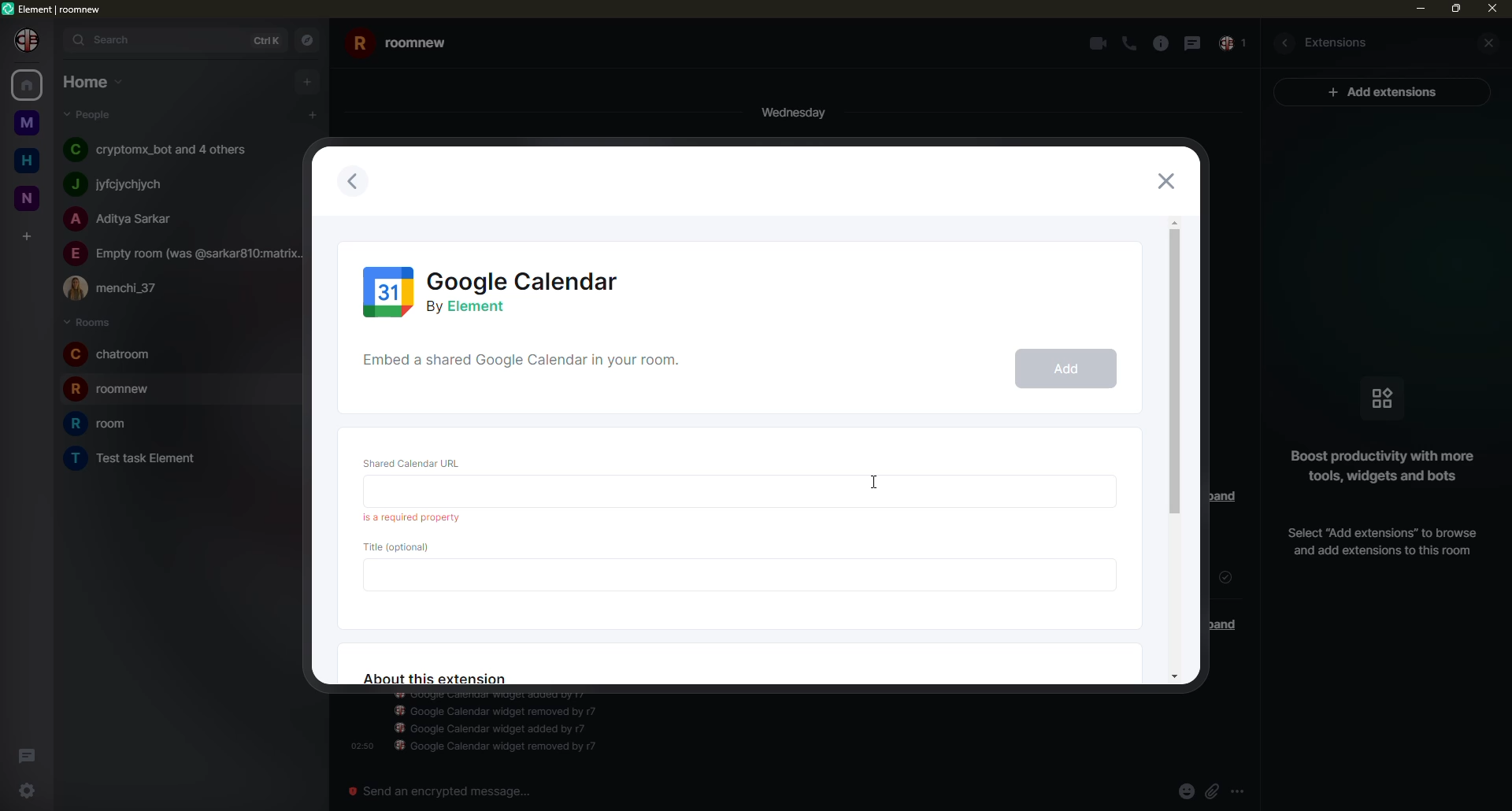  What do you see at coordinates (417, 461) in the screenshot?
I see `url` at bounding box center [417, 461].